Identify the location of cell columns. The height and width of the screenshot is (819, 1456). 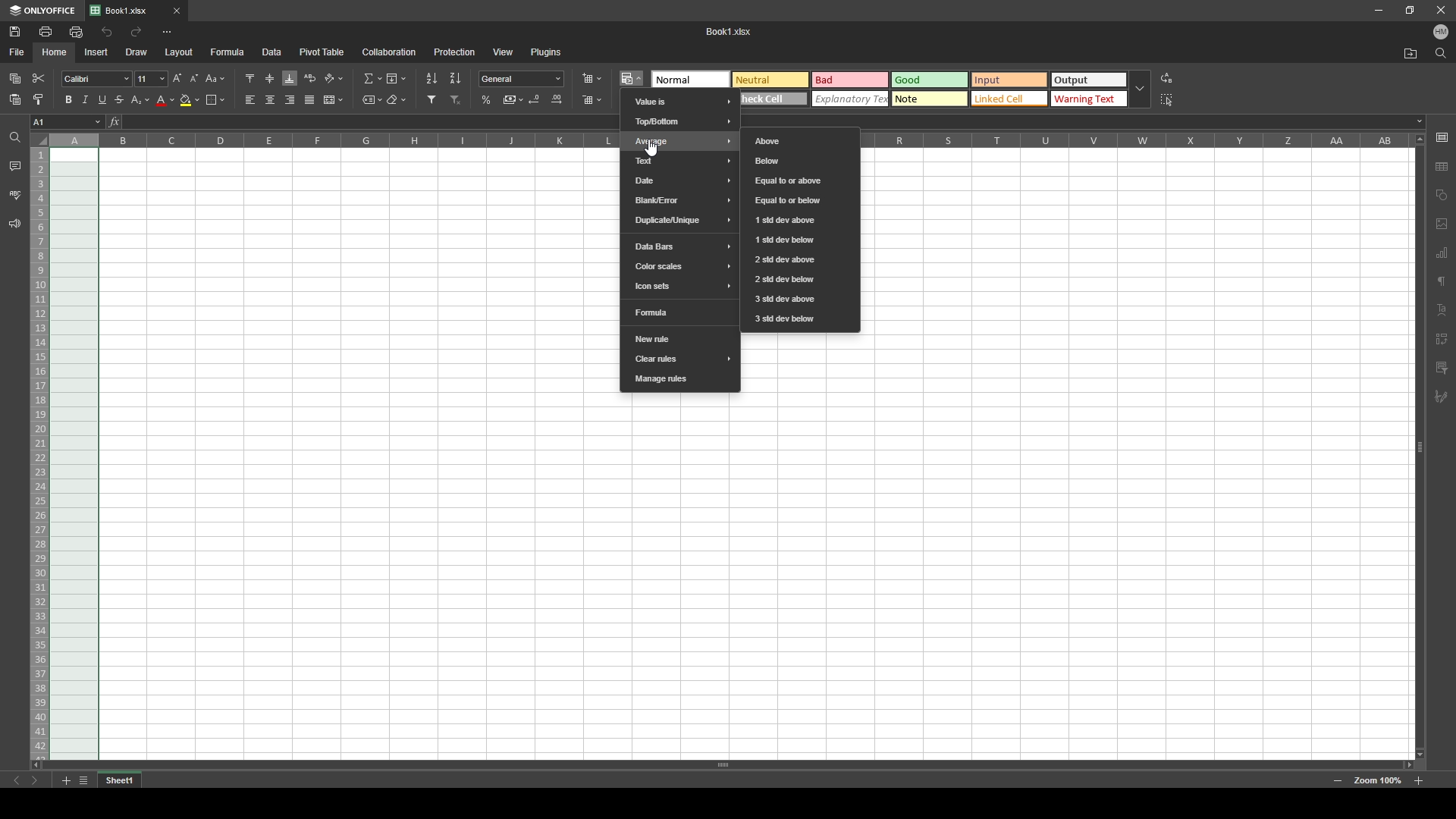
(331, 140).